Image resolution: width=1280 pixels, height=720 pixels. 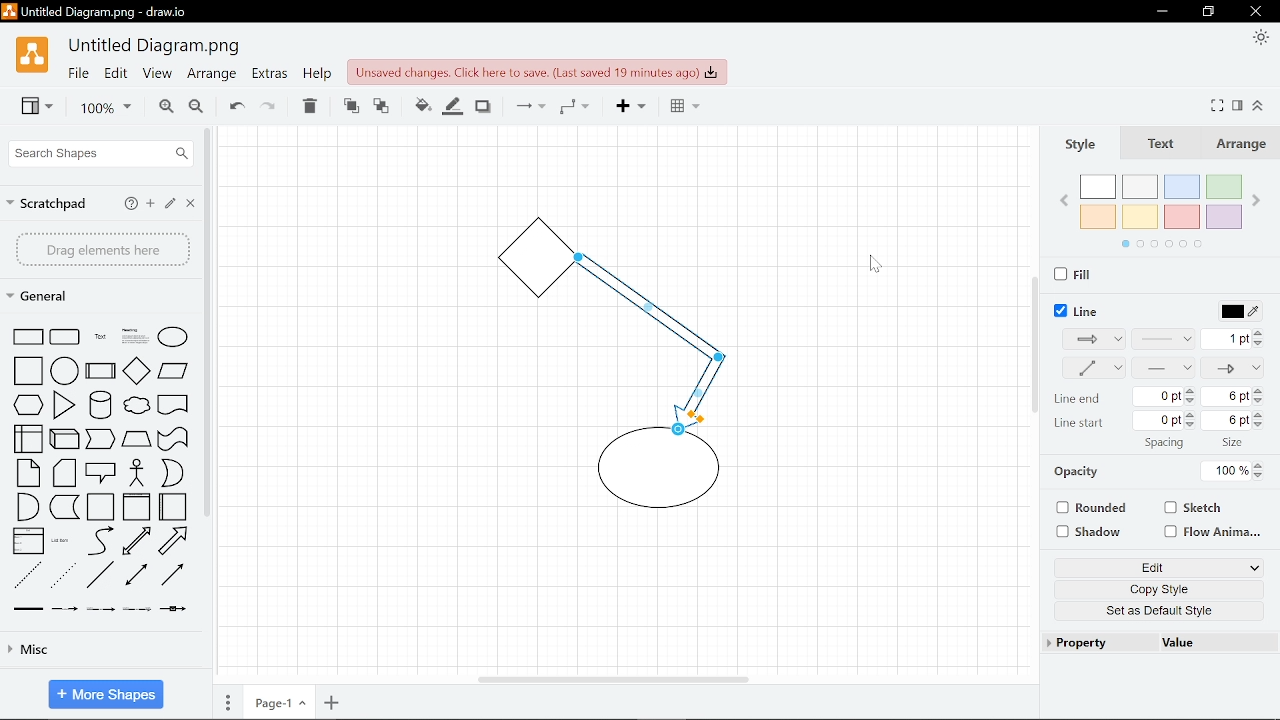 I want to click on shape, so click(x=140, y=474).